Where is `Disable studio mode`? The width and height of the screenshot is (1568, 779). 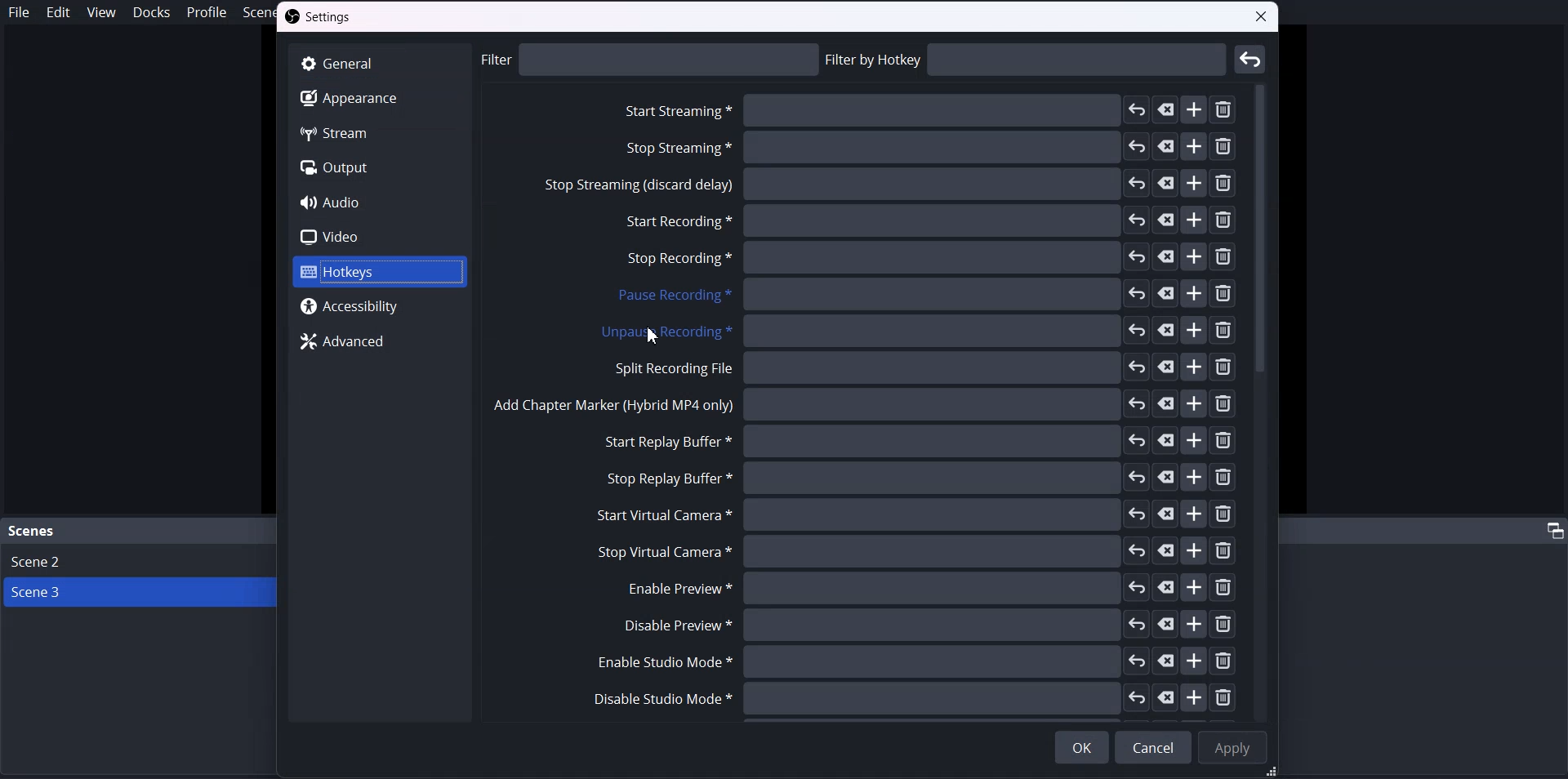
Disable studio mode is located at coordinates (911, 698).